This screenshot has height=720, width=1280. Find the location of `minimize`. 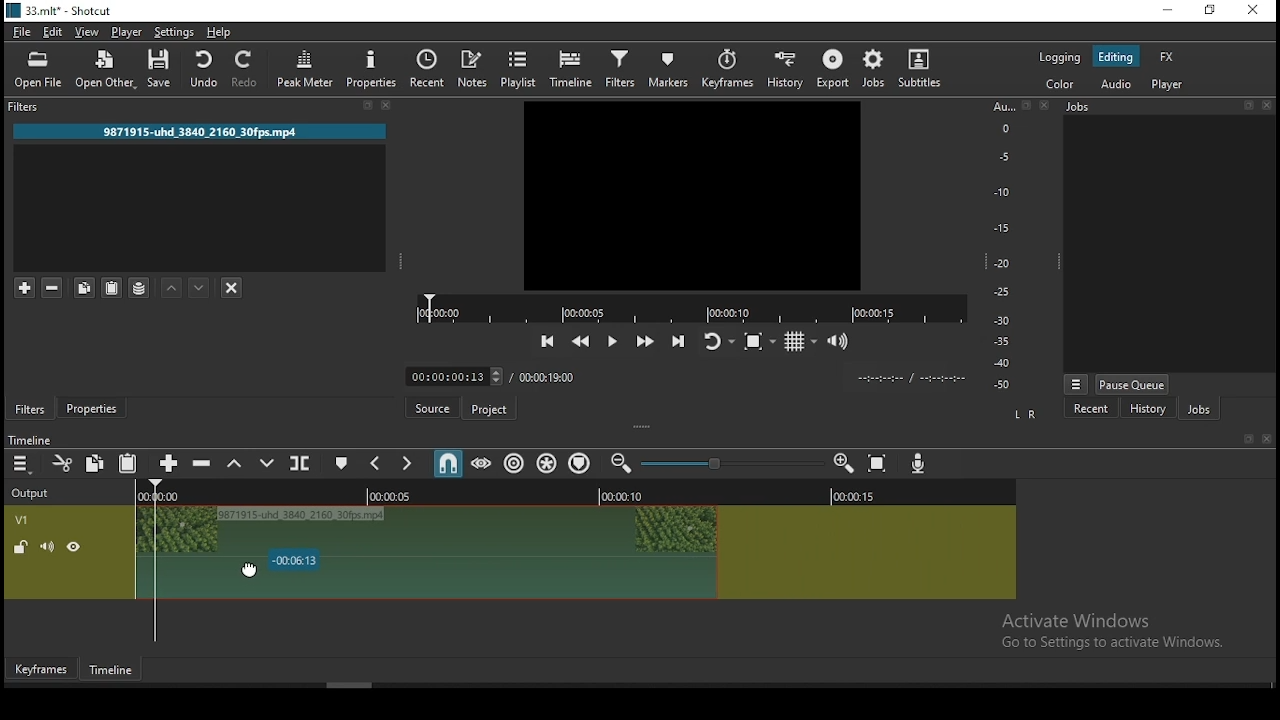

minimize is located at coordinates (1167, 11).